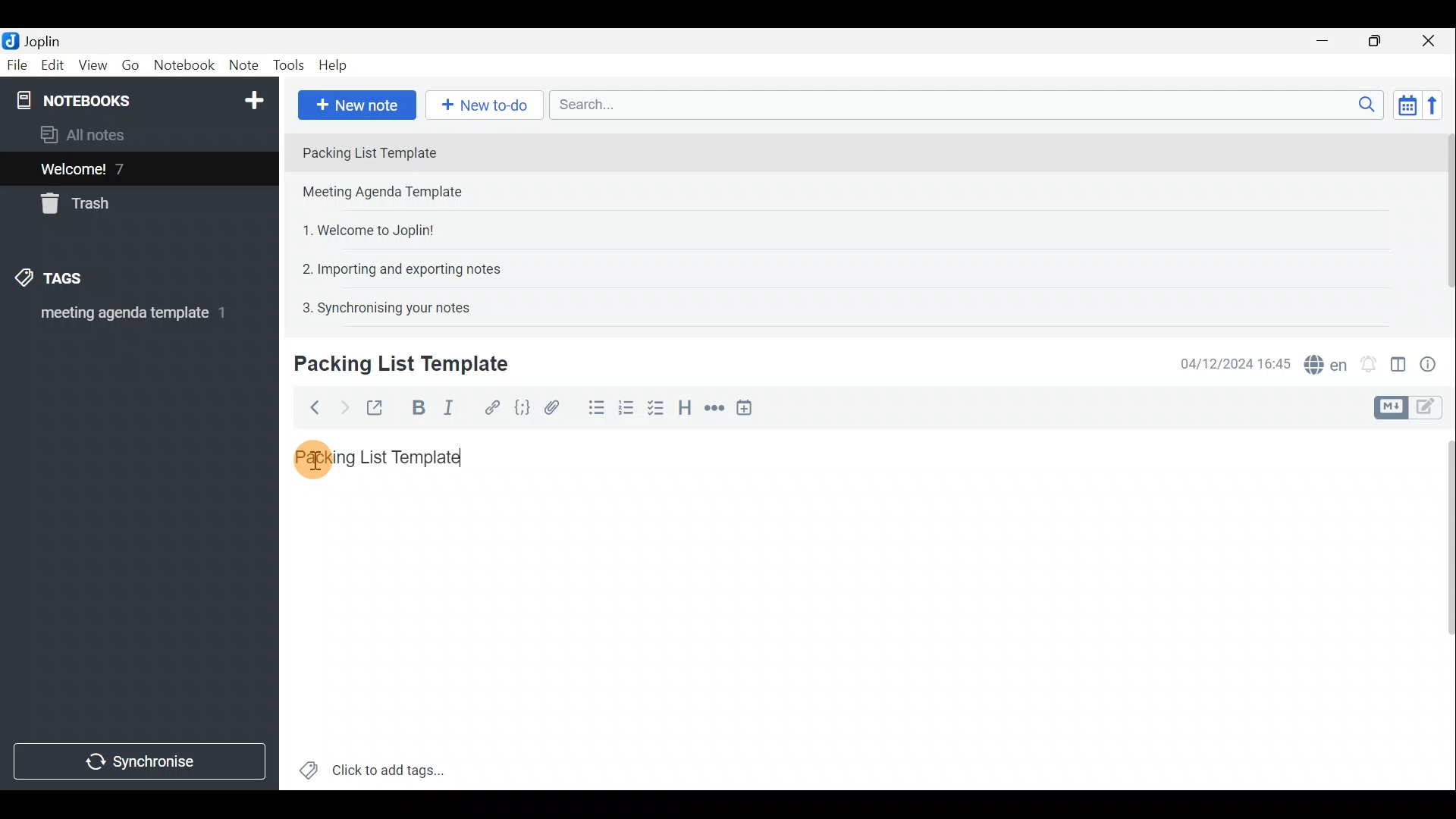 The height and width of the screenshot is (819, 1456). What do you see at coordinates (372, 766) in the screenshot?
I see `Click to add tags` at bounding box center [372, 766].